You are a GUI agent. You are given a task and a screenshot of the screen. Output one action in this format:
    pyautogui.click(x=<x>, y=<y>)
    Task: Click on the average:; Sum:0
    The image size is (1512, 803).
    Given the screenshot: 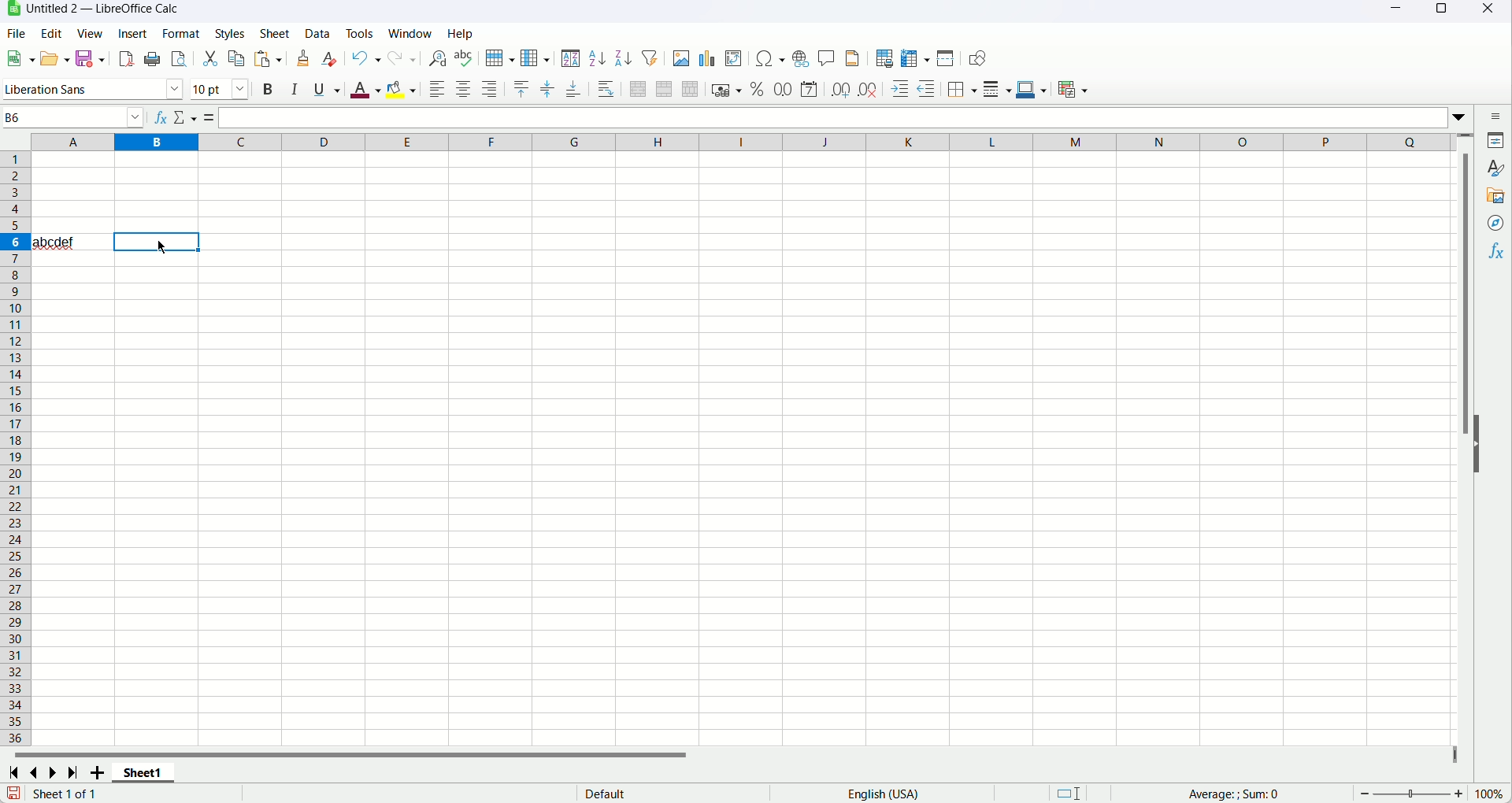 What is the action you would take?
    pyautogui.click(x=1235, y=794)
    